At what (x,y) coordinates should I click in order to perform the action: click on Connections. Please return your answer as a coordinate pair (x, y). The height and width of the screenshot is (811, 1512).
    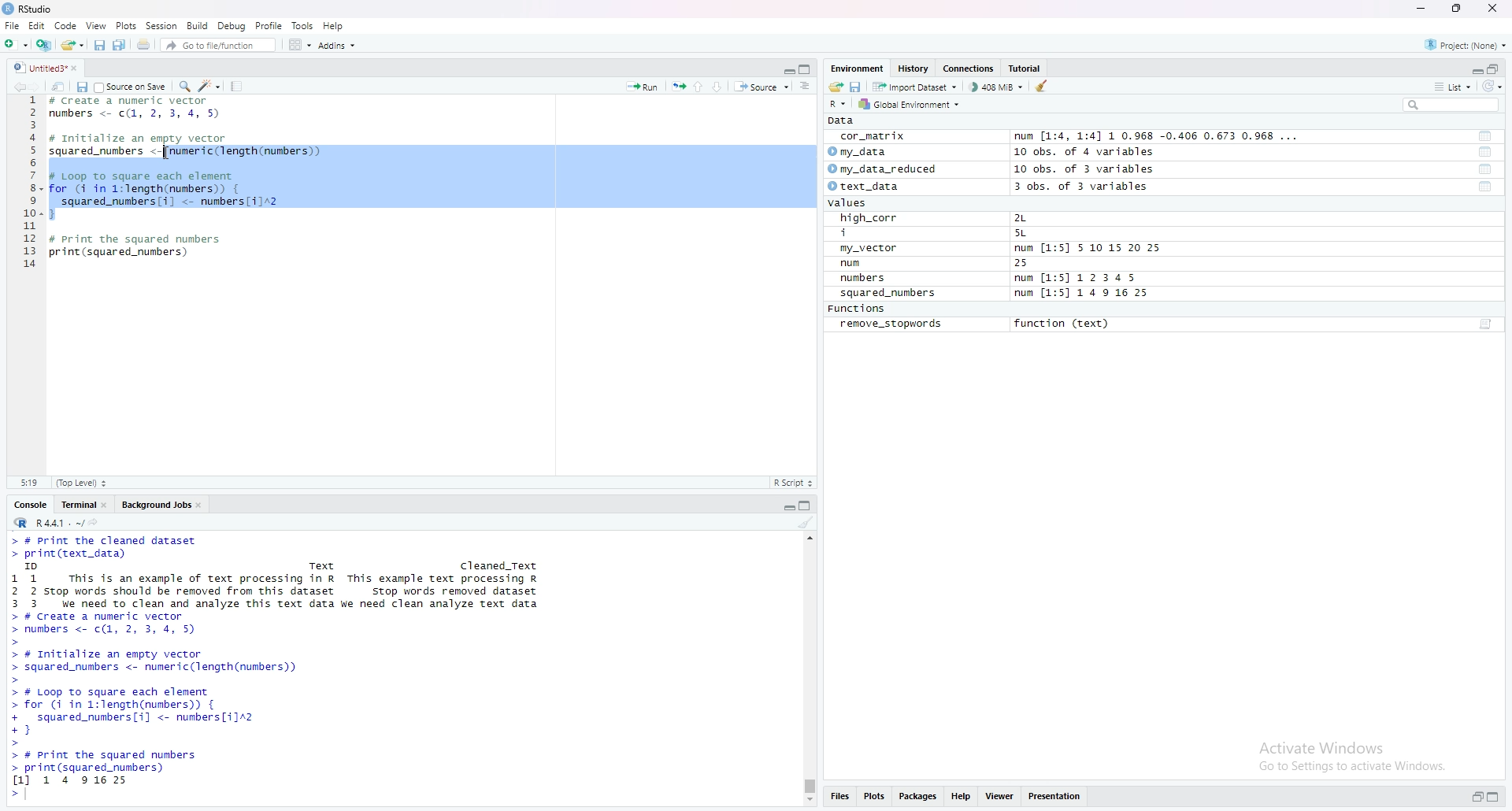
    Looking at the image, I should click on (970, 69).